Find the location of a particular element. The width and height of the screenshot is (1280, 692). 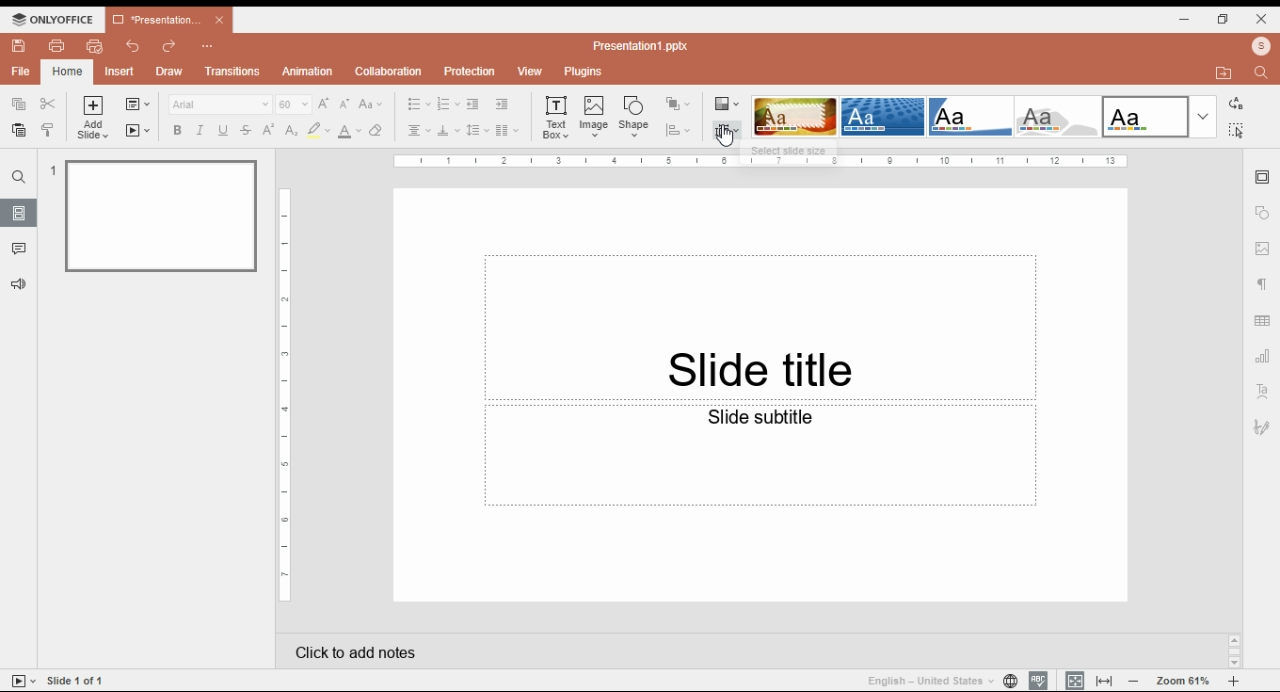

insert shape is located at coordinates (635, 116).